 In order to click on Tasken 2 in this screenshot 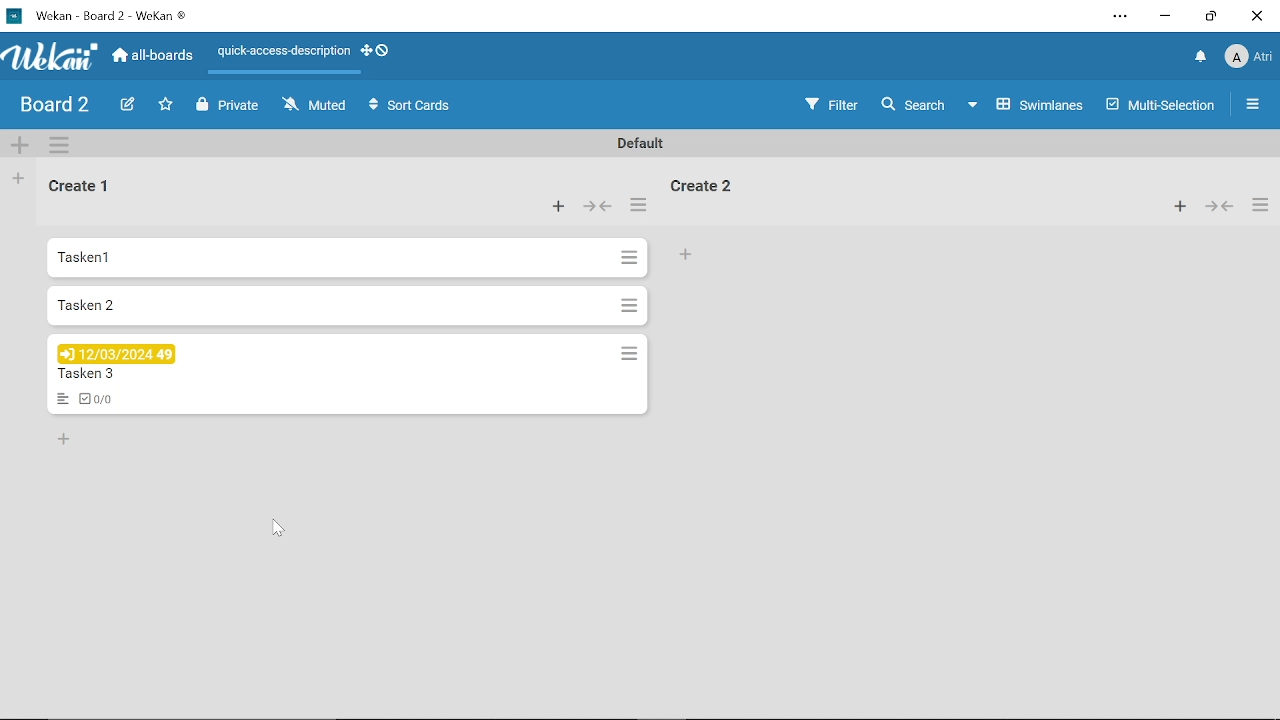, I will do `click(347, 307)`.